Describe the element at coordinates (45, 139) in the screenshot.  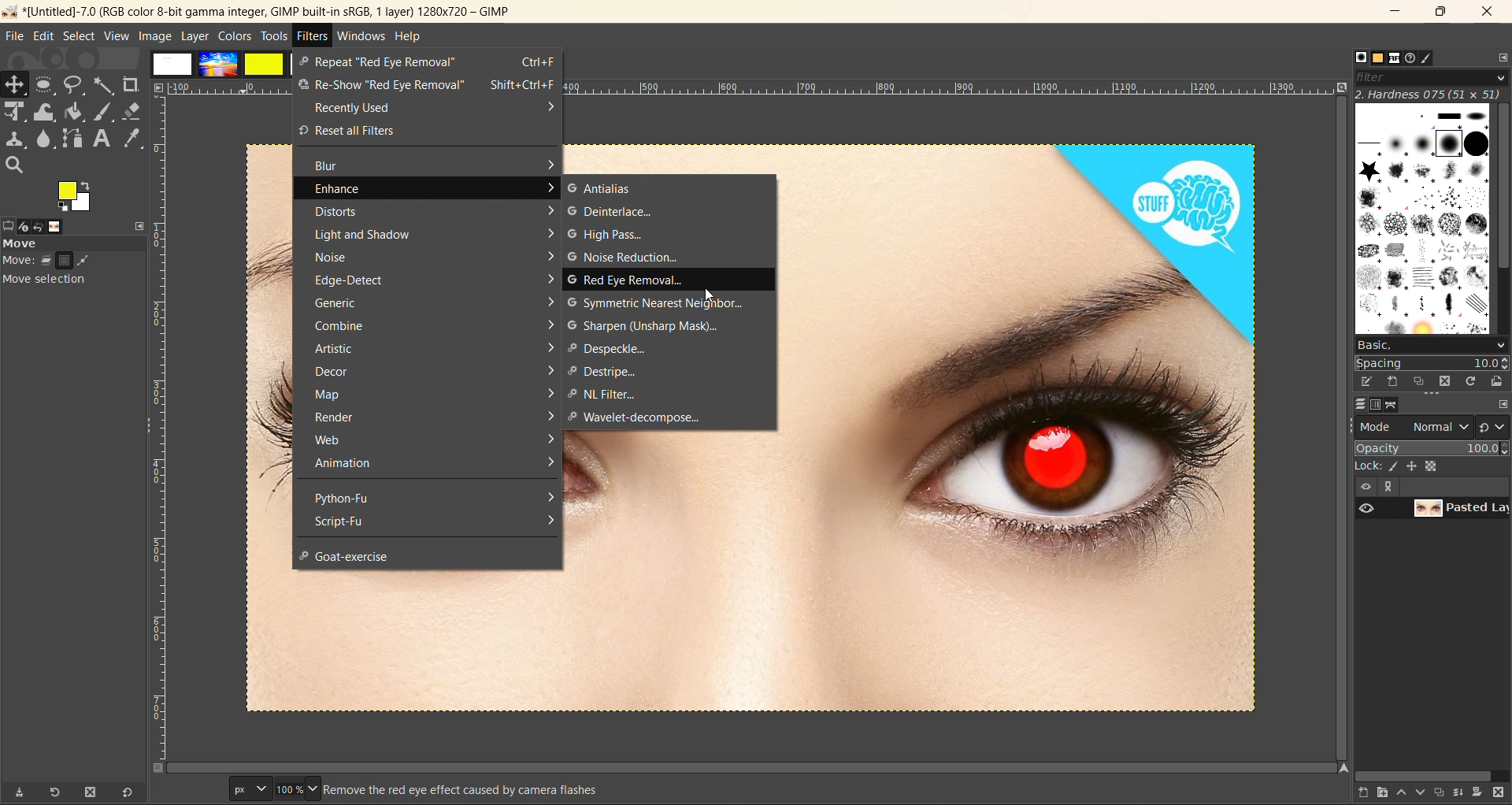
I see `smudge tool` at that location.